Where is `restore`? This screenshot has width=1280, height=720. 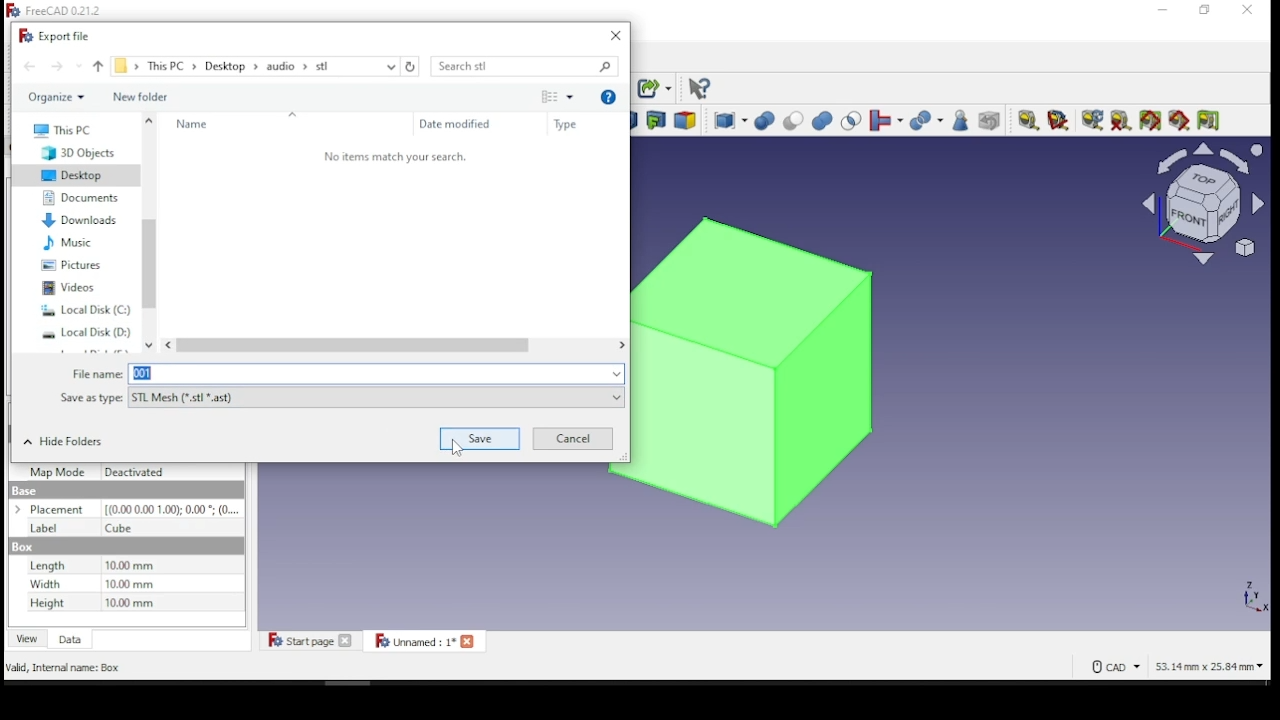
restore is located at coordinates (1205, 11).